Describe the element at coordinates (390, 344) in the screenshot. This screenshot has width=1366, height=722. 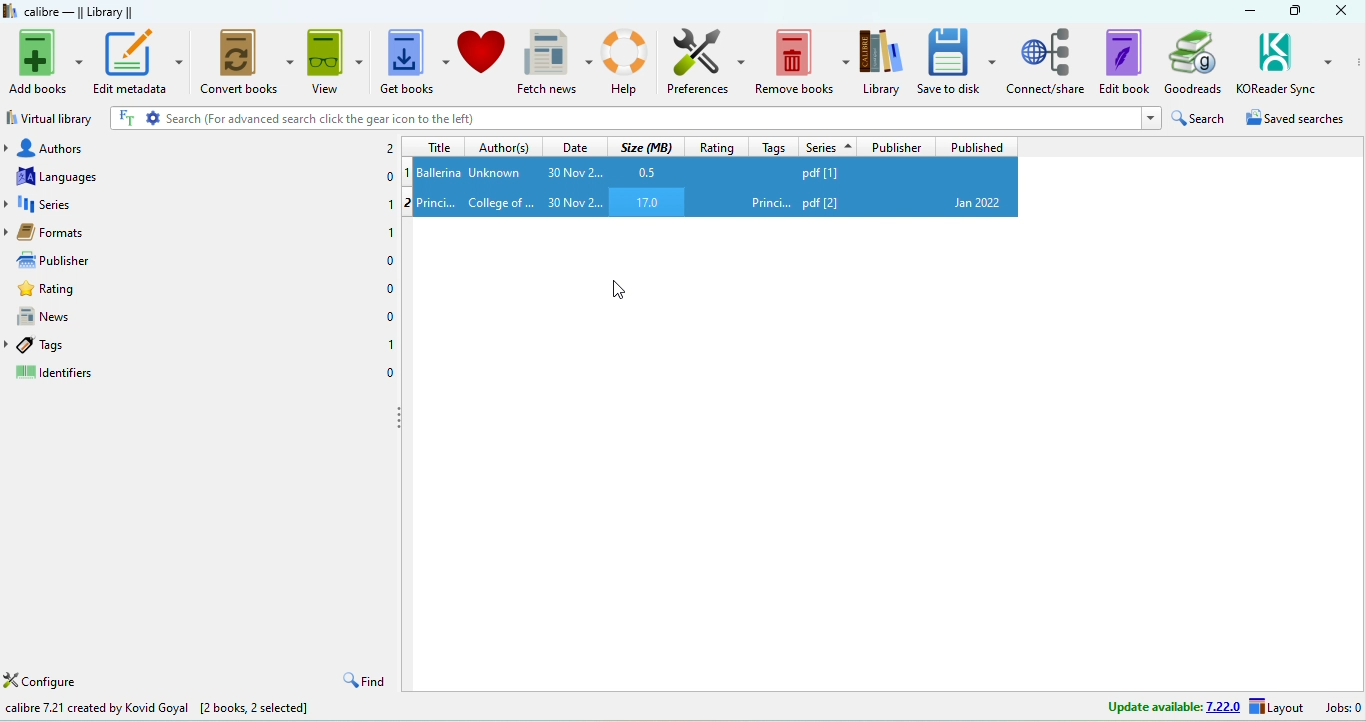
I see `1` at that location.